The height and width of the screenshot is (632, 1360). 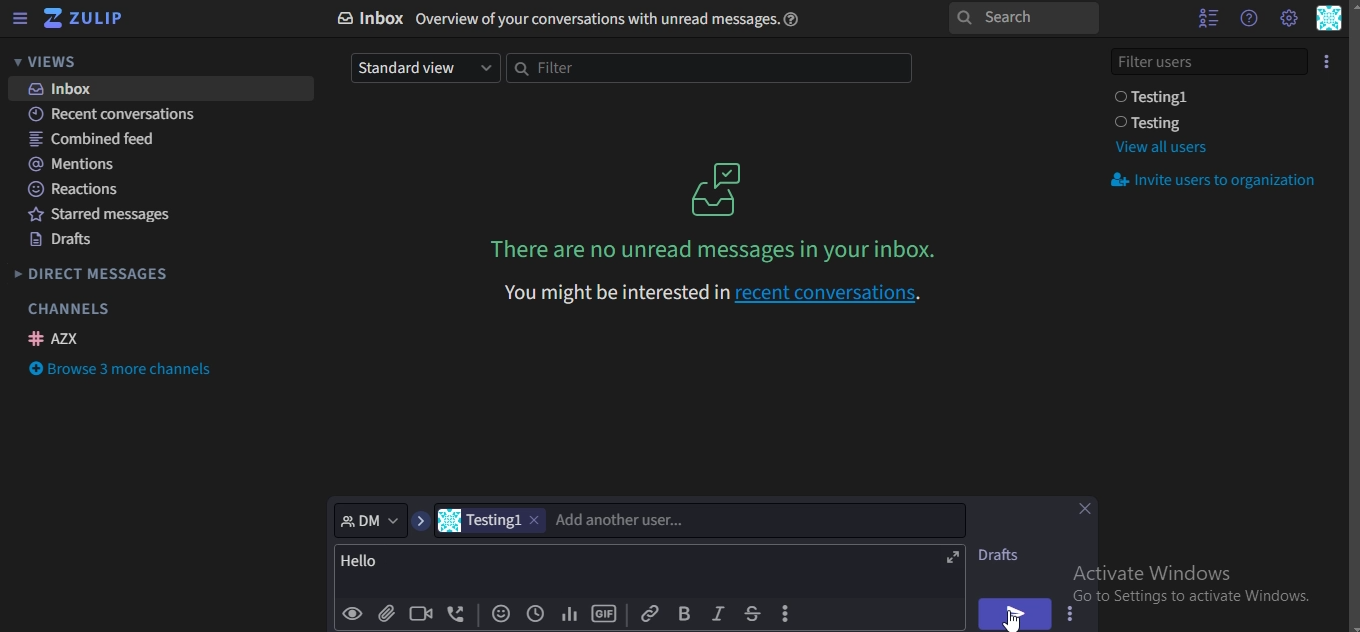 I want to click on link, so click(x=649, y=612).